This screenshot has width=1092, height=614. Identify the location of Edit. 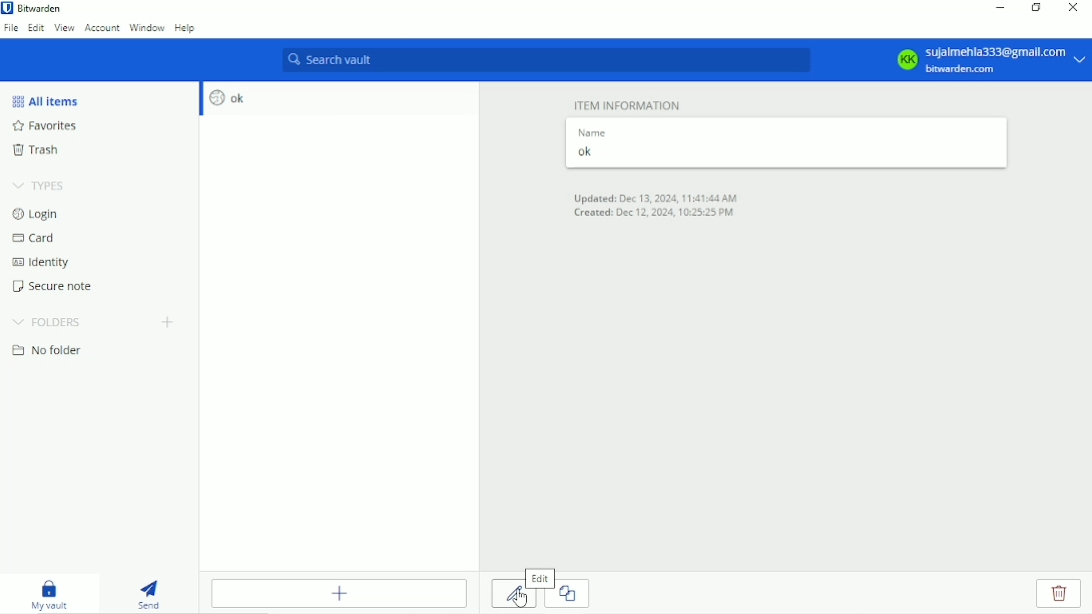
(34, 28).